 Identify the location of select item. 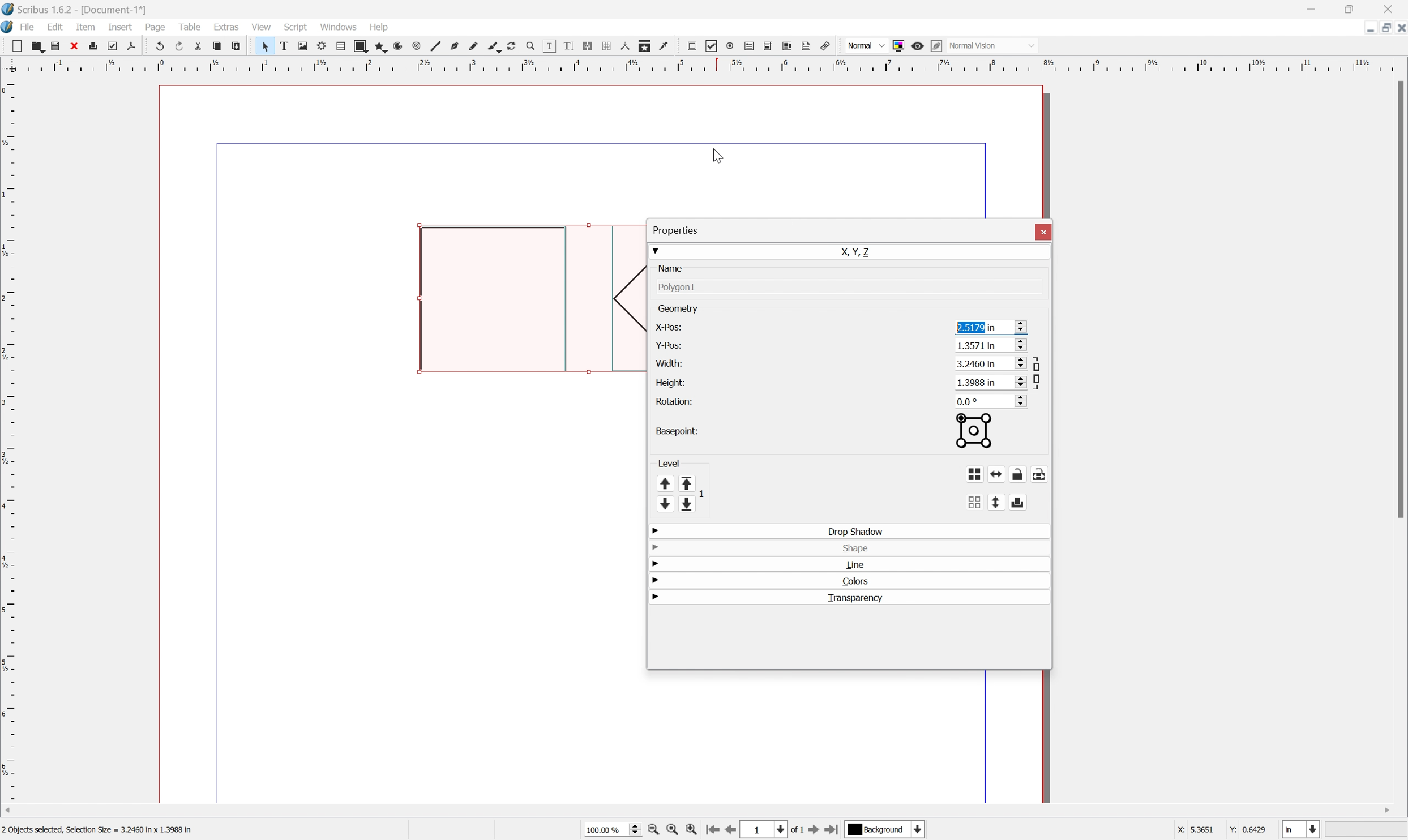
(262, 46).